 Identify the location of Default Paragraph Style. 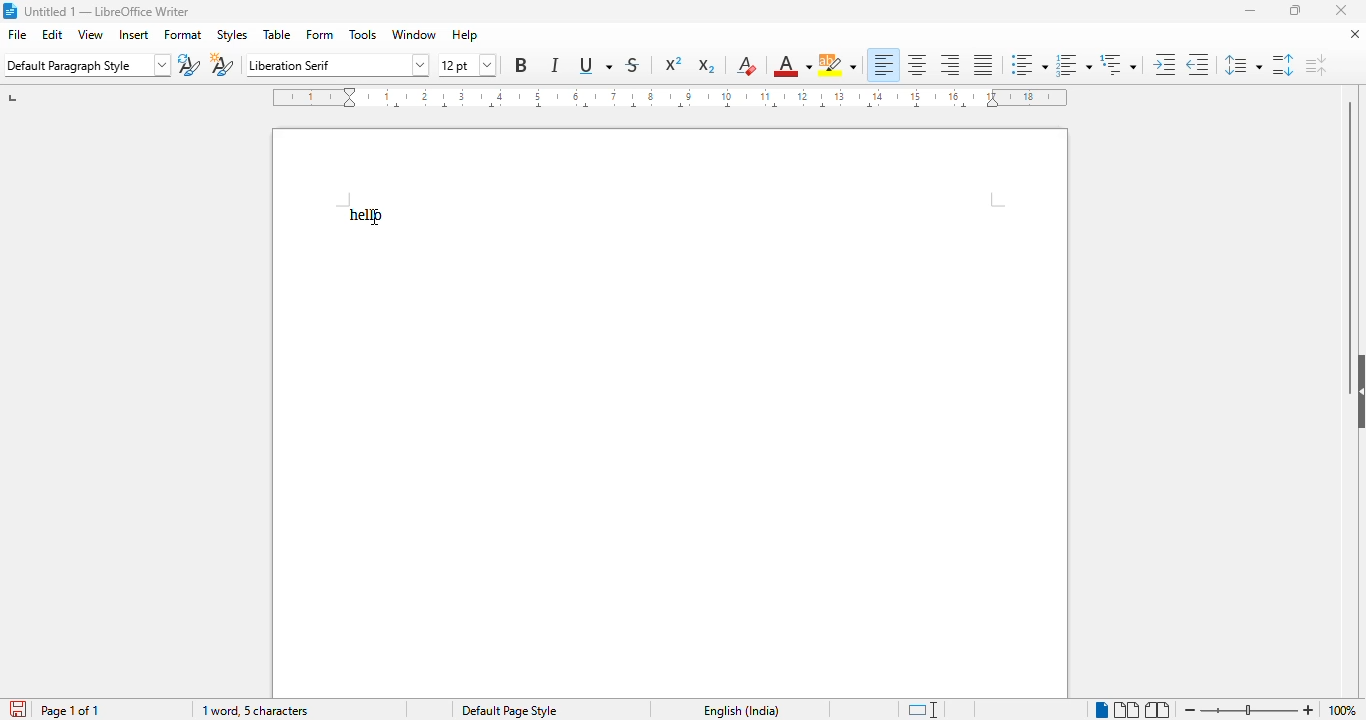
(76, 65).